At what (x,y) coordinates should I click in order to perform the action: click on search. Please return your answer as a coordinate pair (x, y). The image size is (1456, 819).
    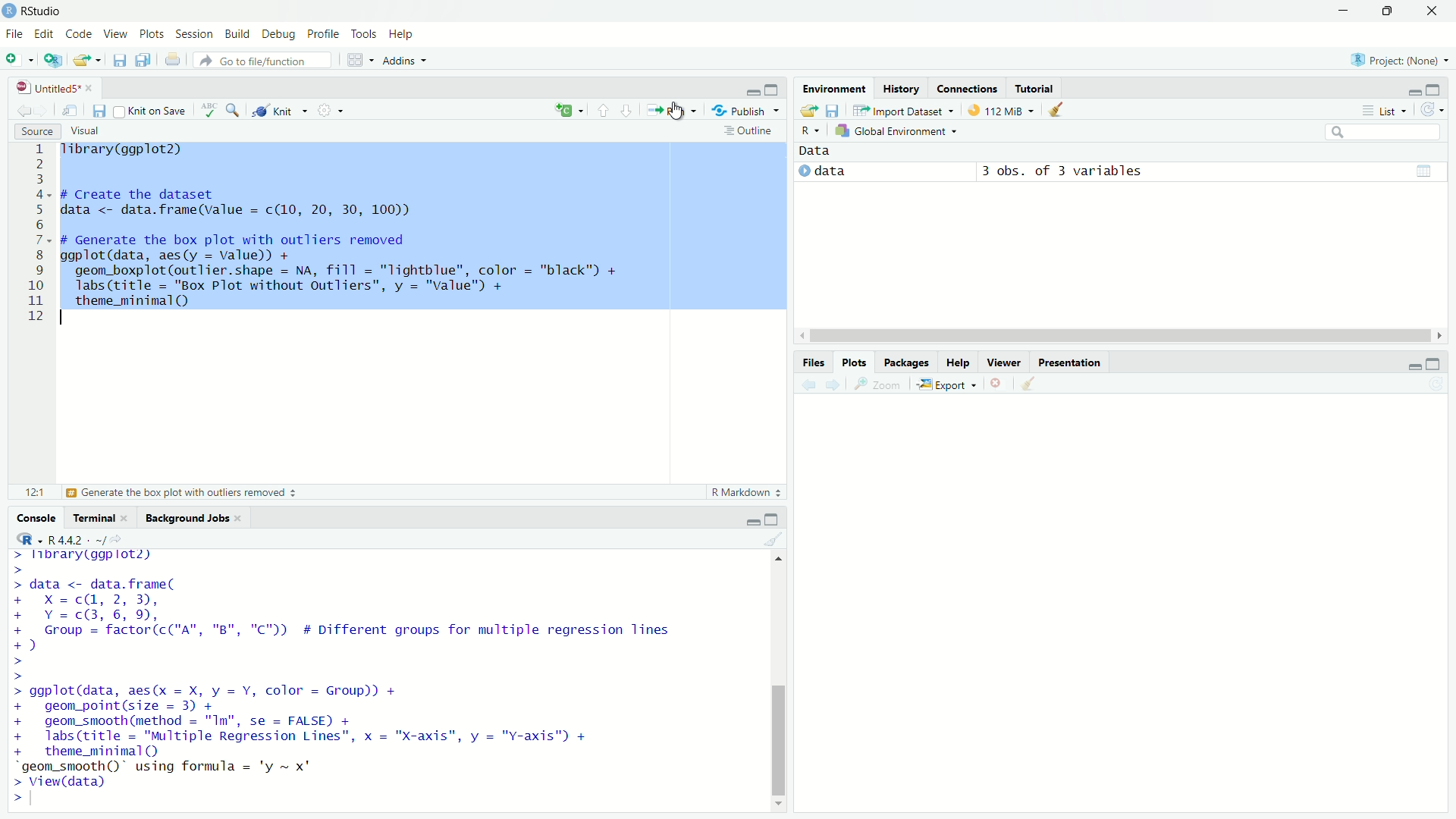
    Looking at the image, I should click on (1372, 130).